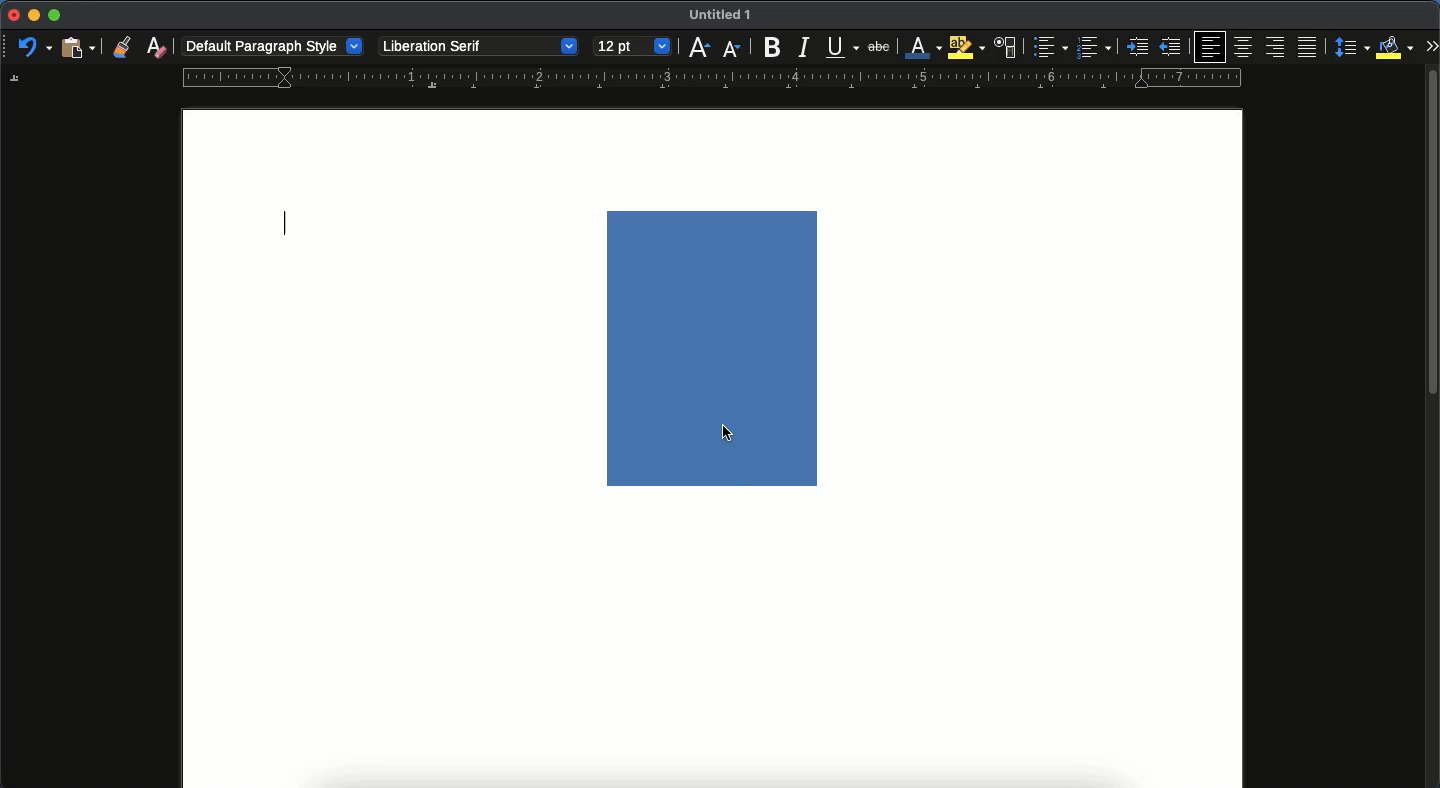 Image resolution: width=1440 pixels, height=788 pixels. What do you see at coordinates (54, 15) in the screenshot?
I see `maximize` at bounding box center [54, 15].